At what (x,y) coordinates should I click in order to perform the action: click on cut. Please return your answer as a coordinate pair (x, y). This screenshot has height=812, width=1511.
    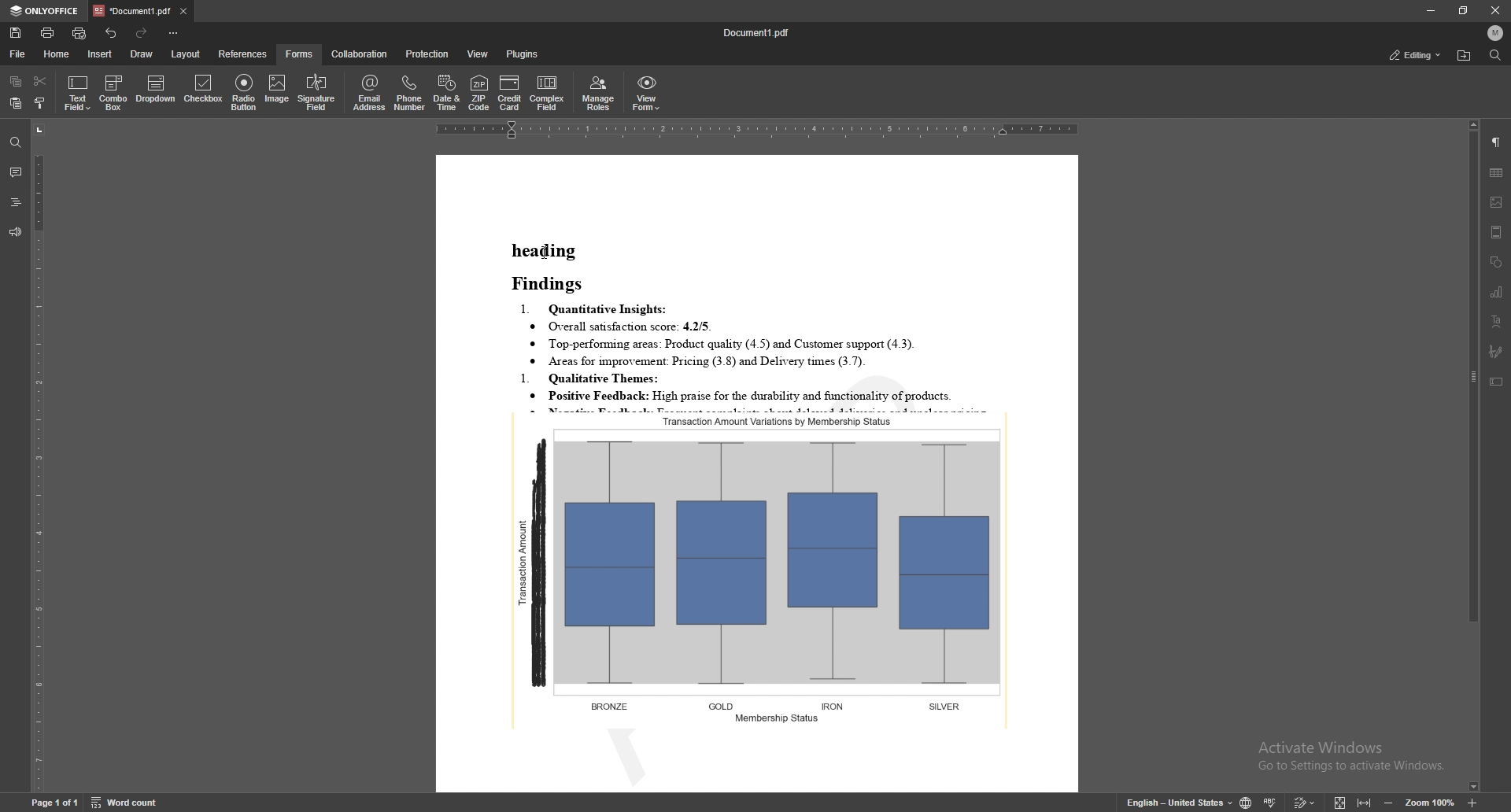
    Looking at the image, I should click on (40, 79).